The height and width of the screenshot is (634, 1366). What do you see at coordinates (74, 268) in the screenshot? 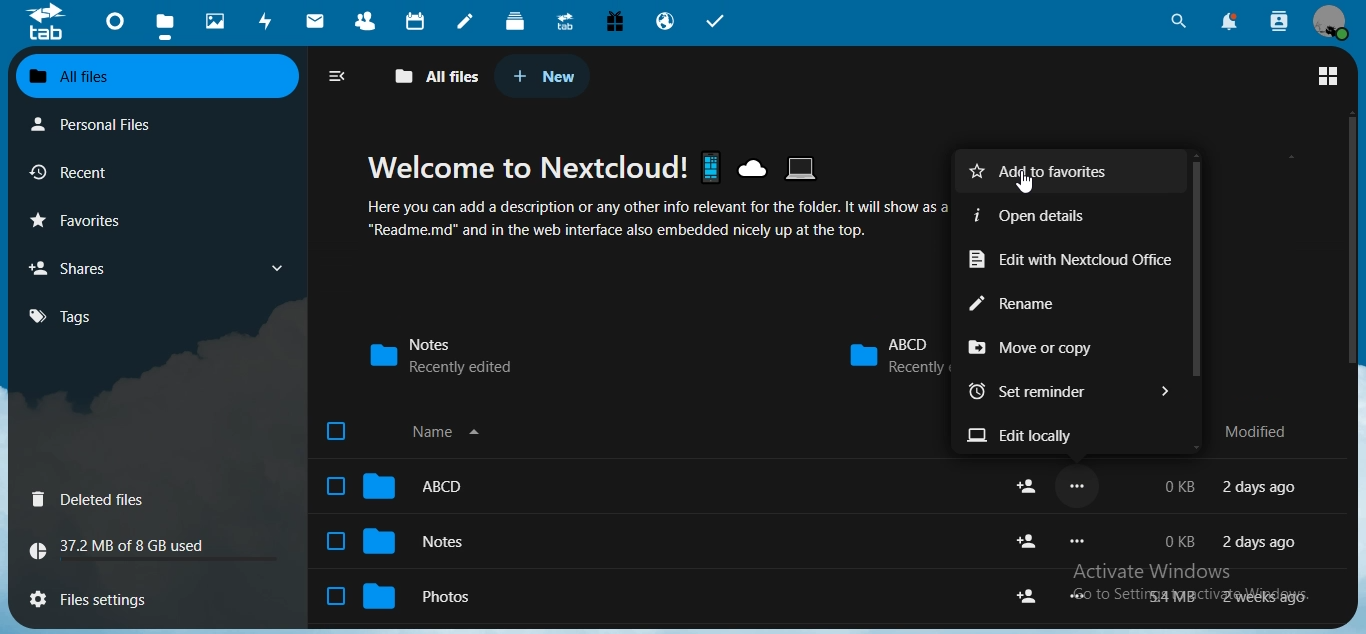
I see `shares` at bounding box center [74, 268].